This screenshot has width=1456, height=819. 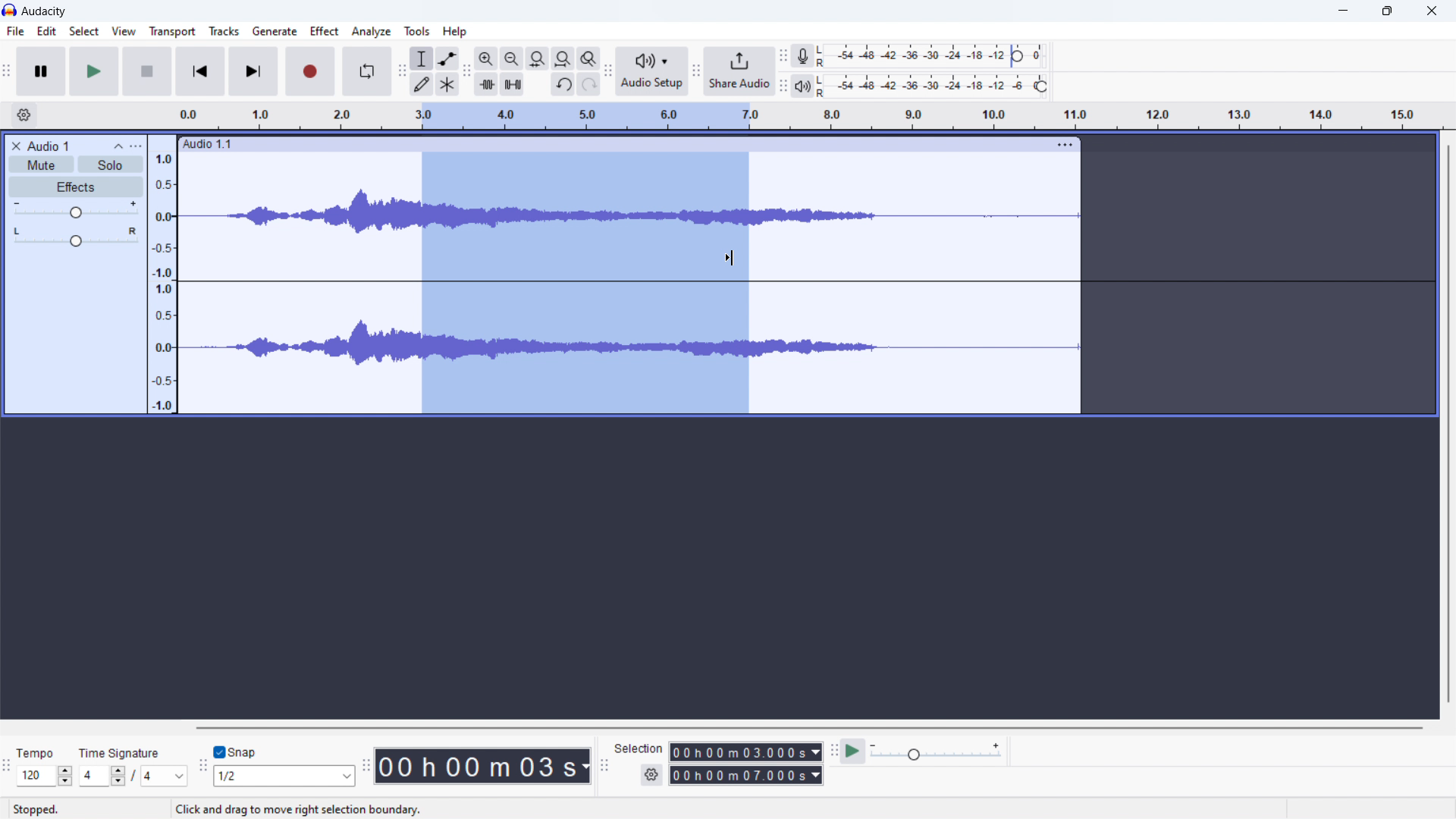 What do you see at coordinates (418, 31) in the screenshot?
I see `tools` at bounding box center [418, 31].